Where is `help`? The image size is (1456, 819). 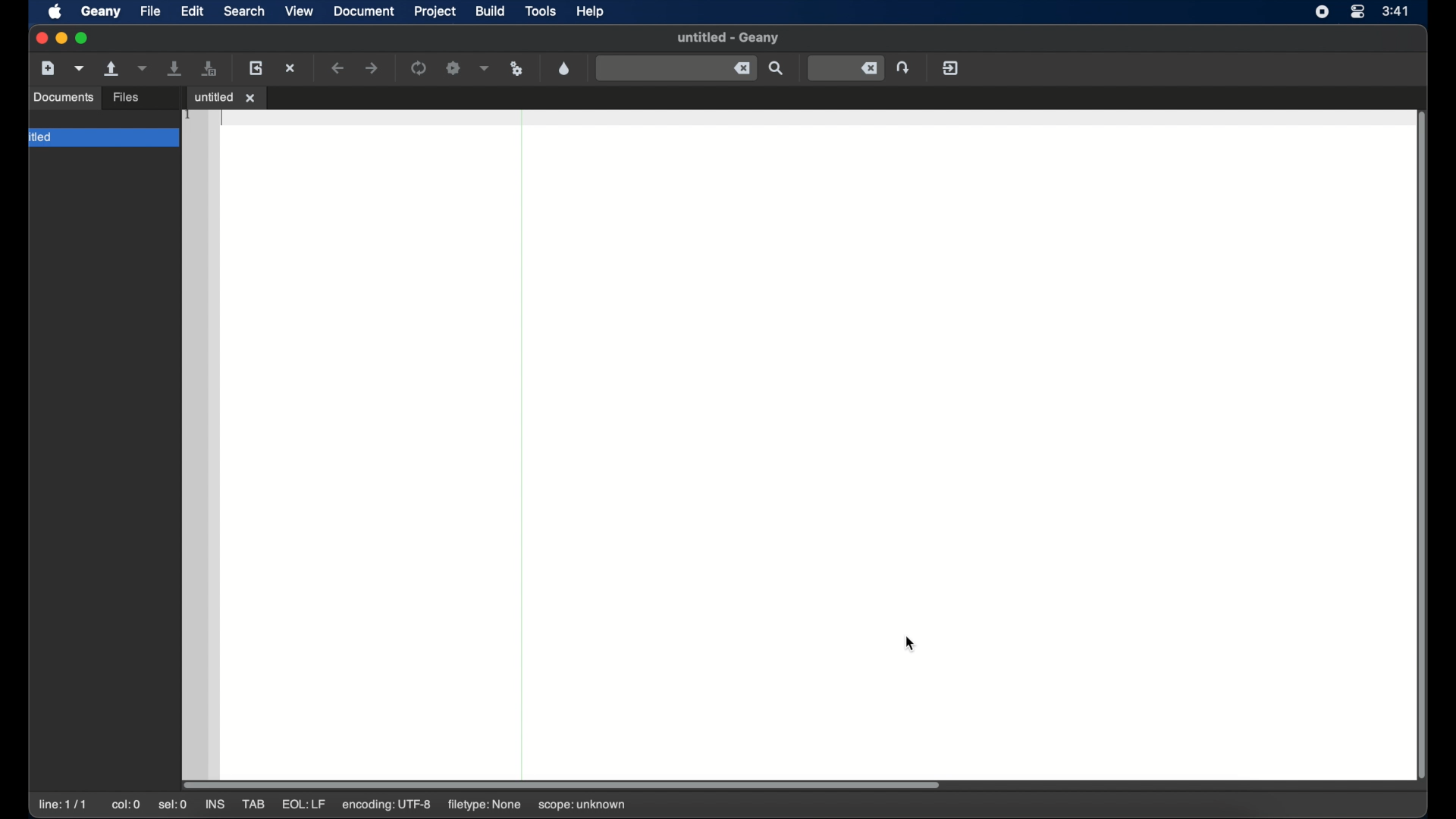
help is located at coordinates (591, 11).